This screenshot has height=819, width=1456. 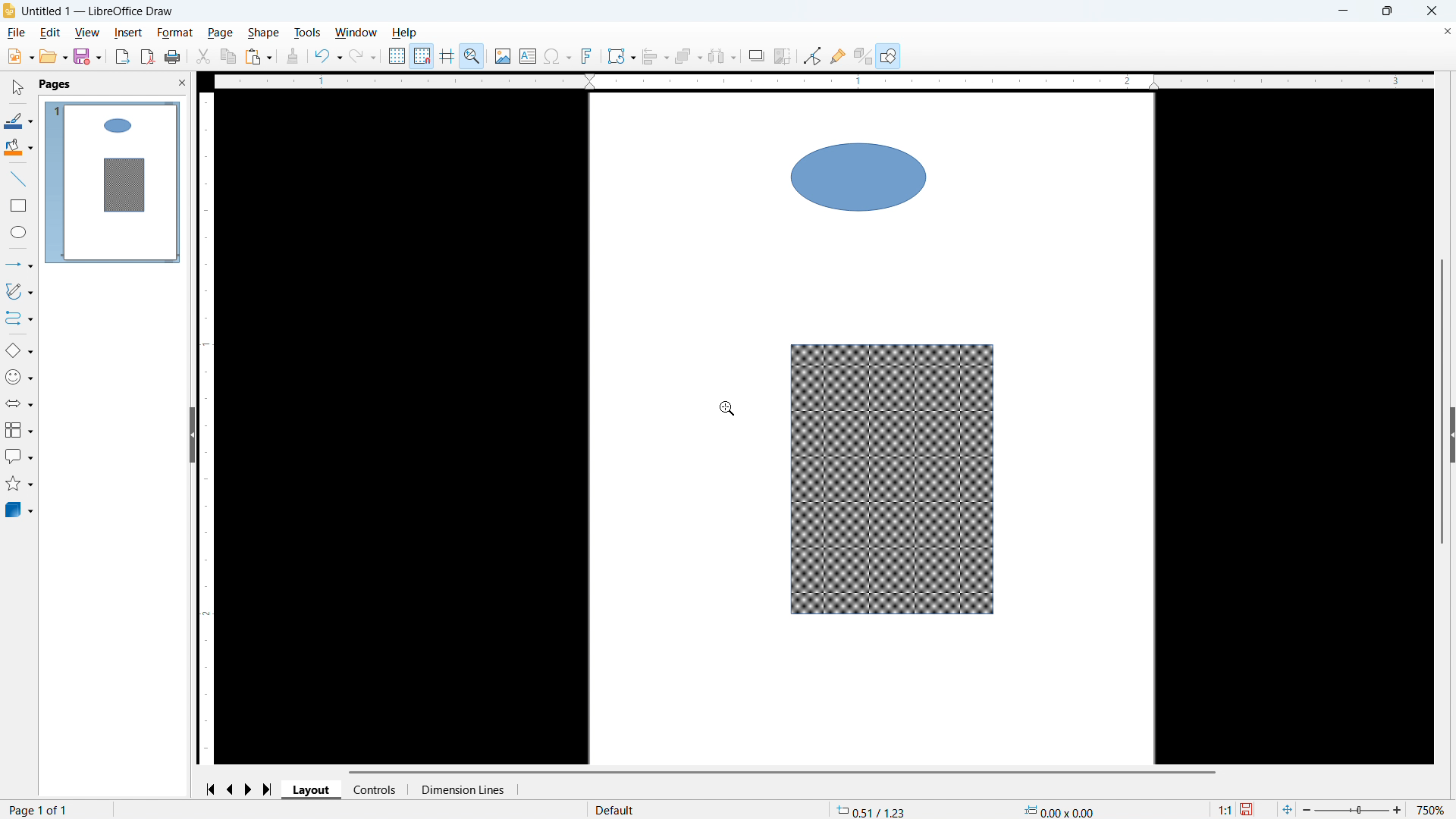 I want to click on Cursor coordinates , so click(x=872, y=810).